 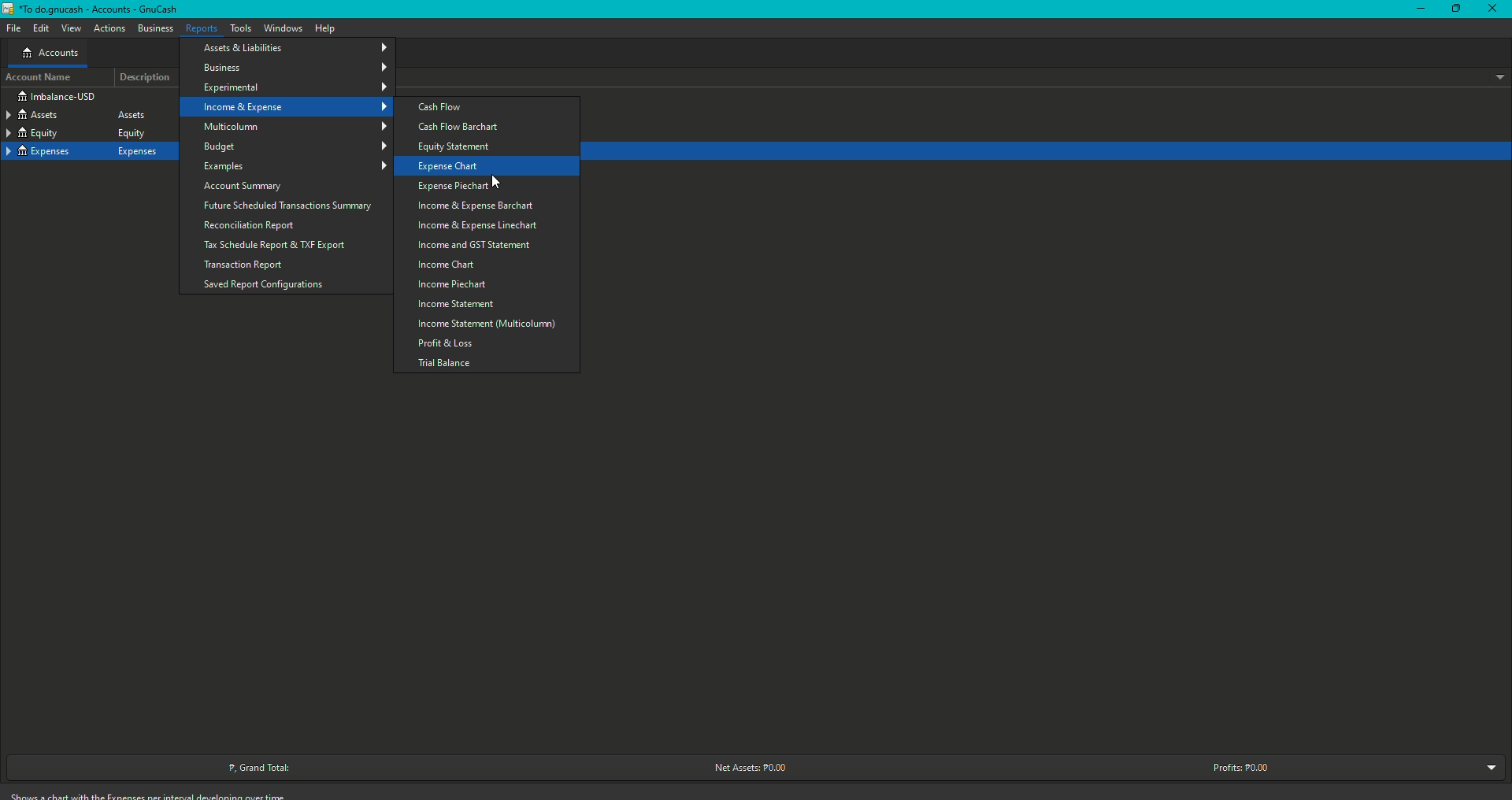 I want to click on GnuCash, so click(x=94, y=9).